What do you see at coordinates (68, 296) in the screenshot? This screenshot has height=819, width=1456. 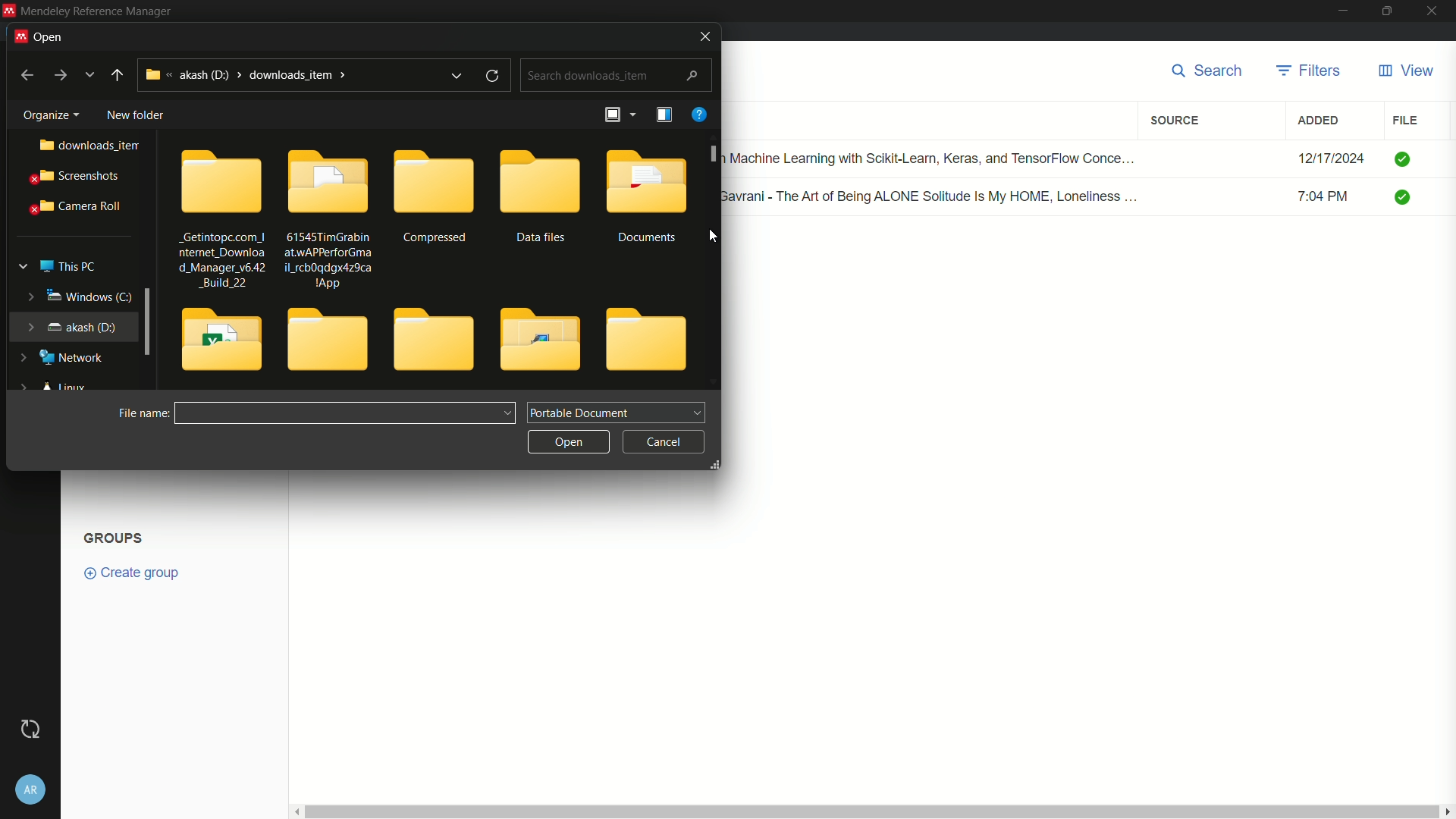 I see `windows (c:)` at bounding box center [68, 296].